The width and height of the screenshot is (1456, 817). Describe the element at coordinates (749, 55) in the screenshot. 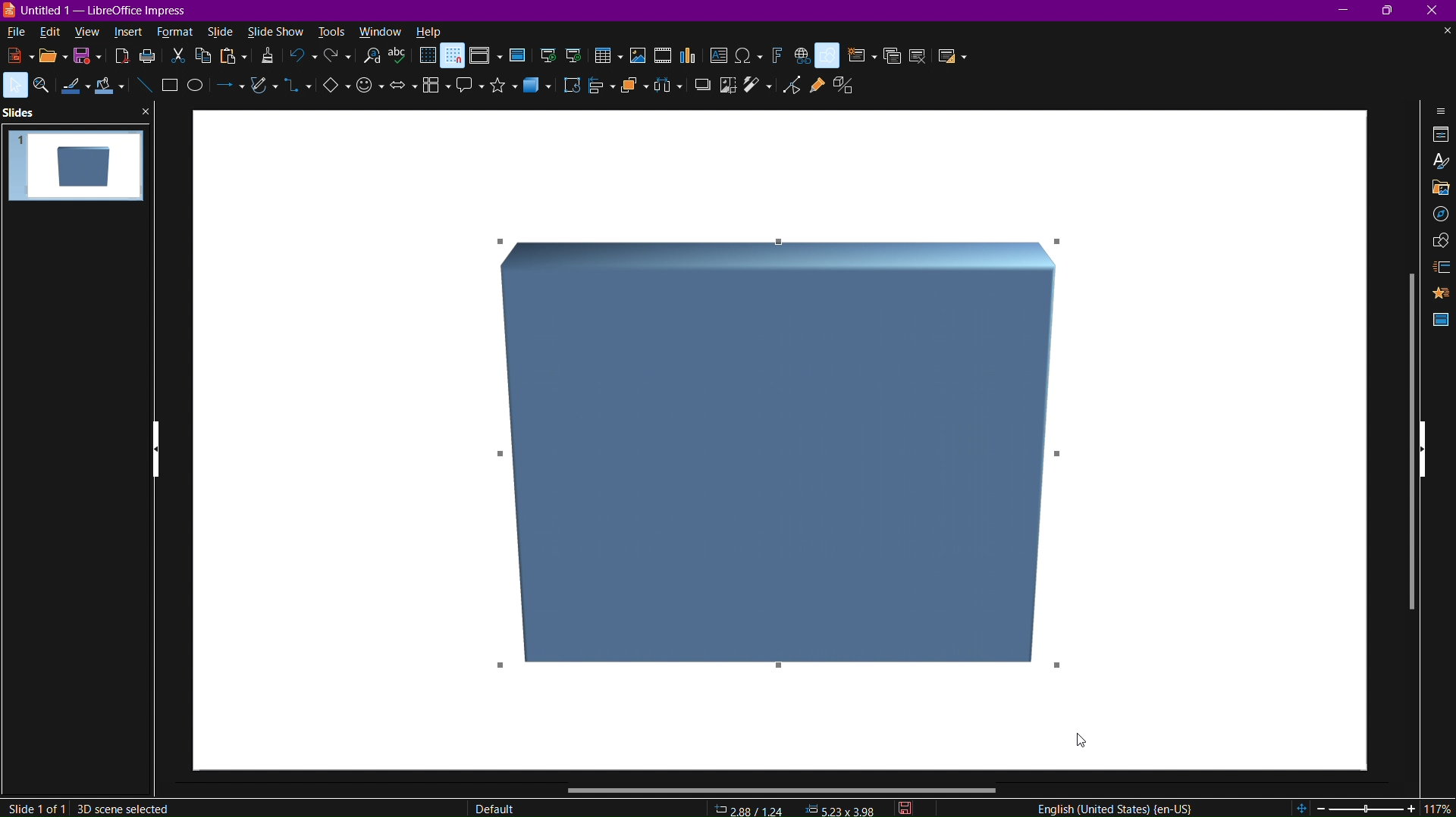

I see `Insert Special Characters` at that location.